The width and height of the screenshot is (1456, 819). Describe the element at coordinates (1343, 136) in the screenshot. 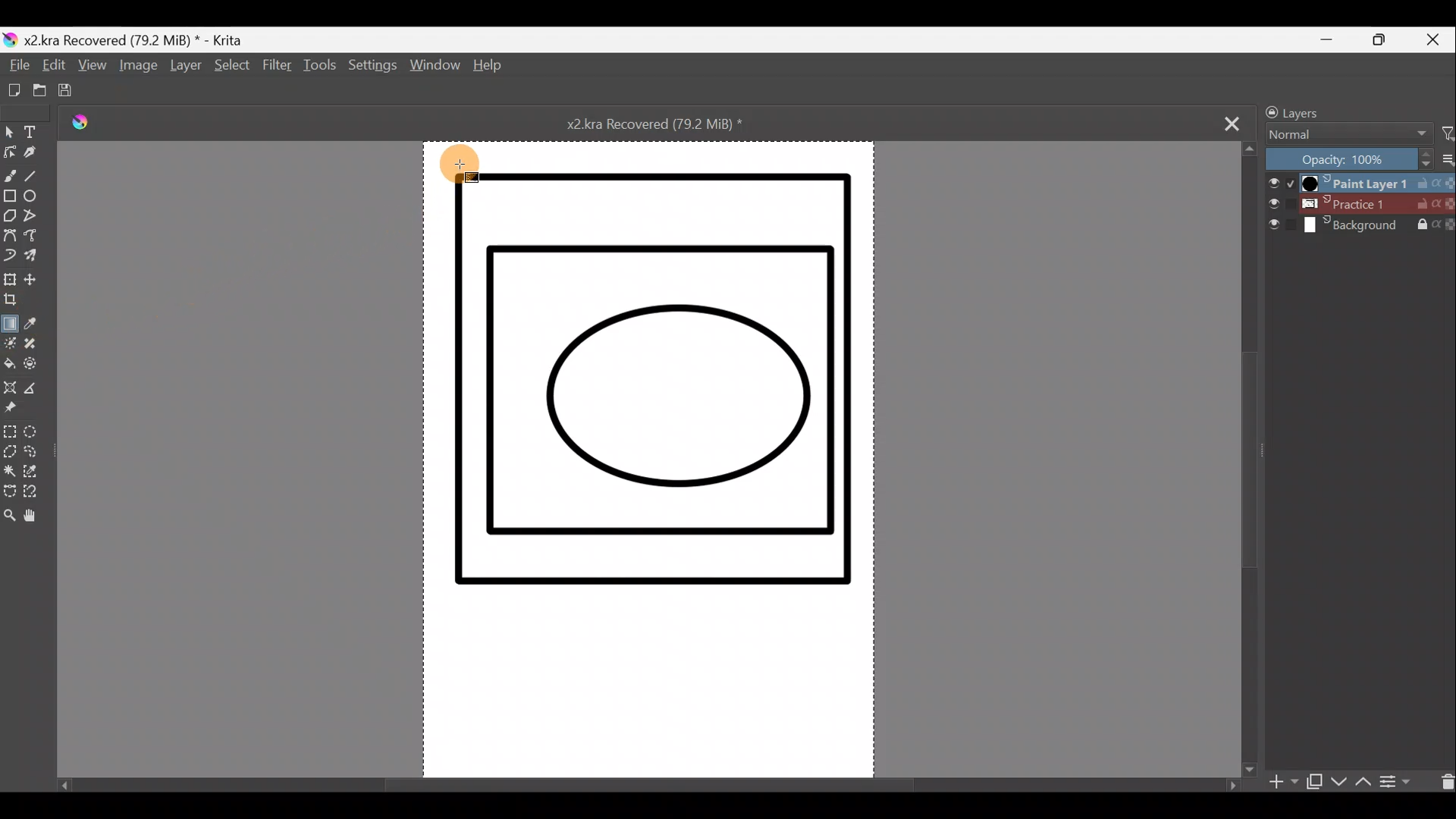

I see `Blending mode` at that location.